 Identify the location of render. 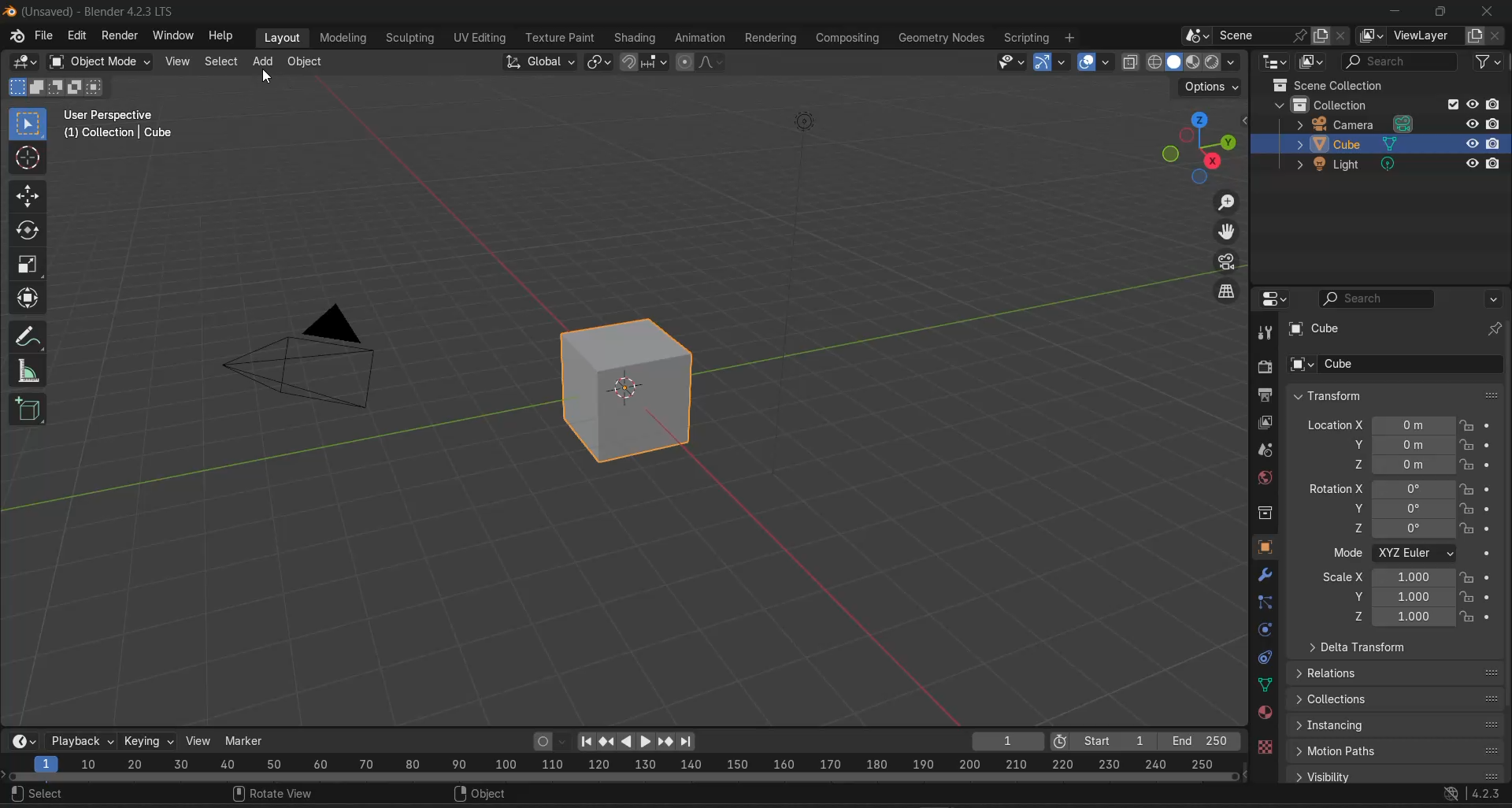
(117, 36).